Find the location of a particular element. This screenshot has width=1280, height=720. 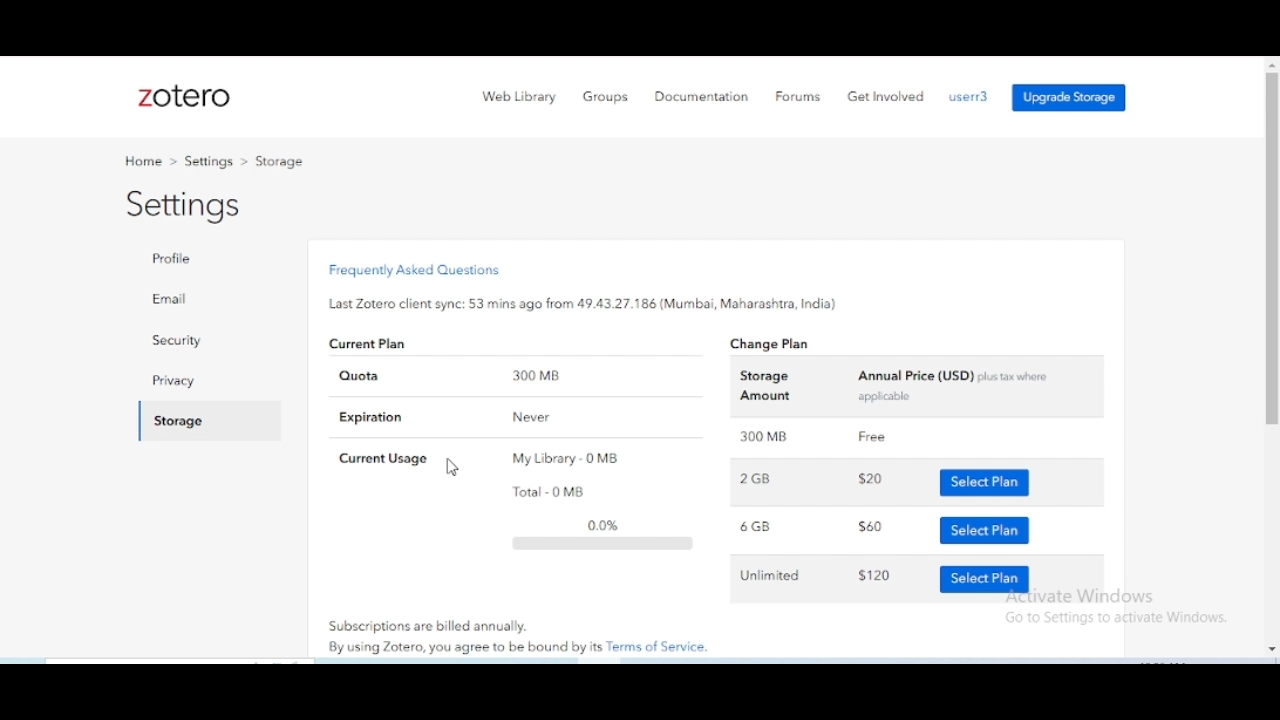

upgrade storage is located at coordinates (1069, 98).